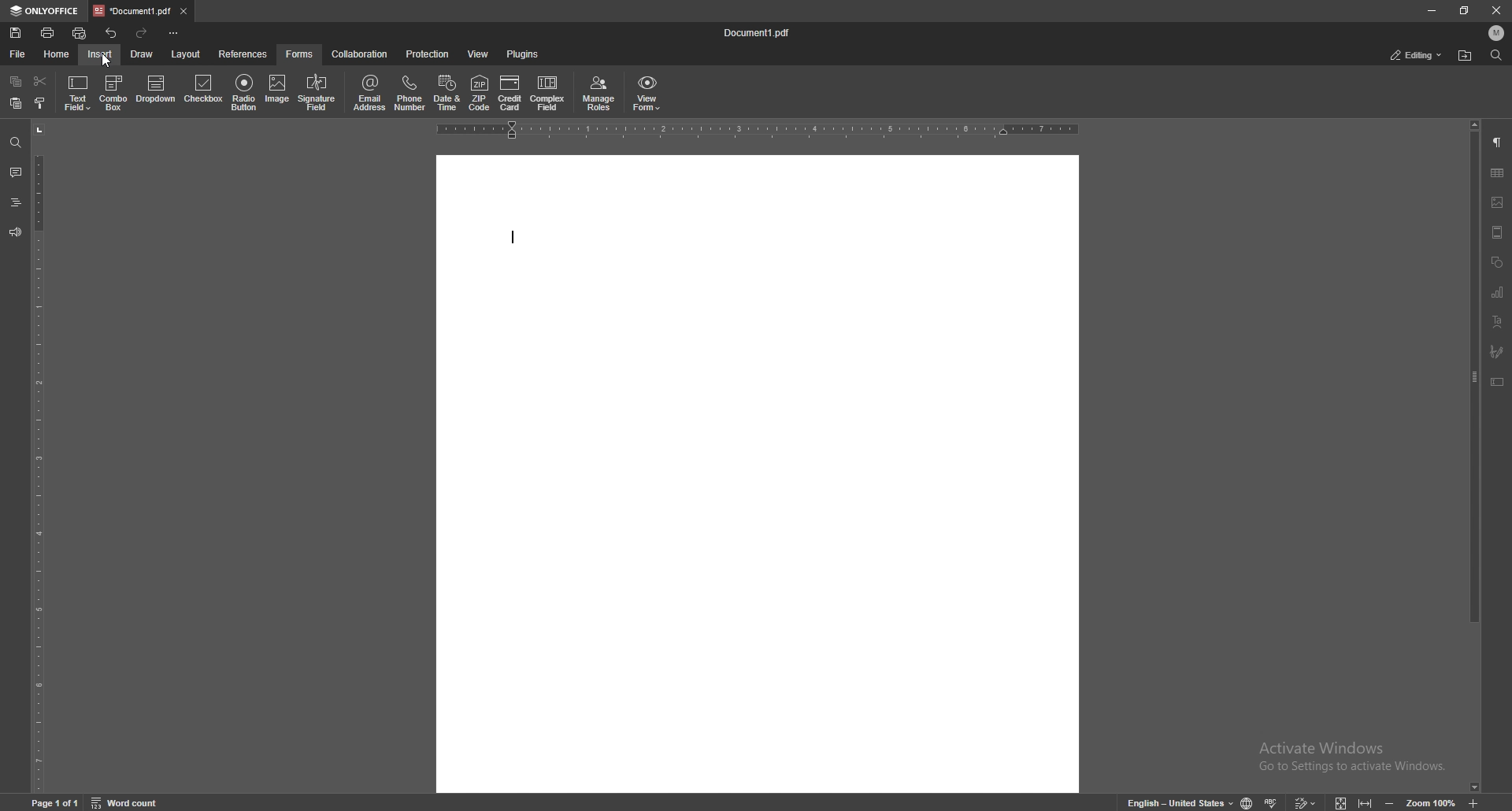 This screenshot has width=1512, height=811. Describe the element at coordinates (202, 89) in the screenshot. I see `checkbox` at that location.